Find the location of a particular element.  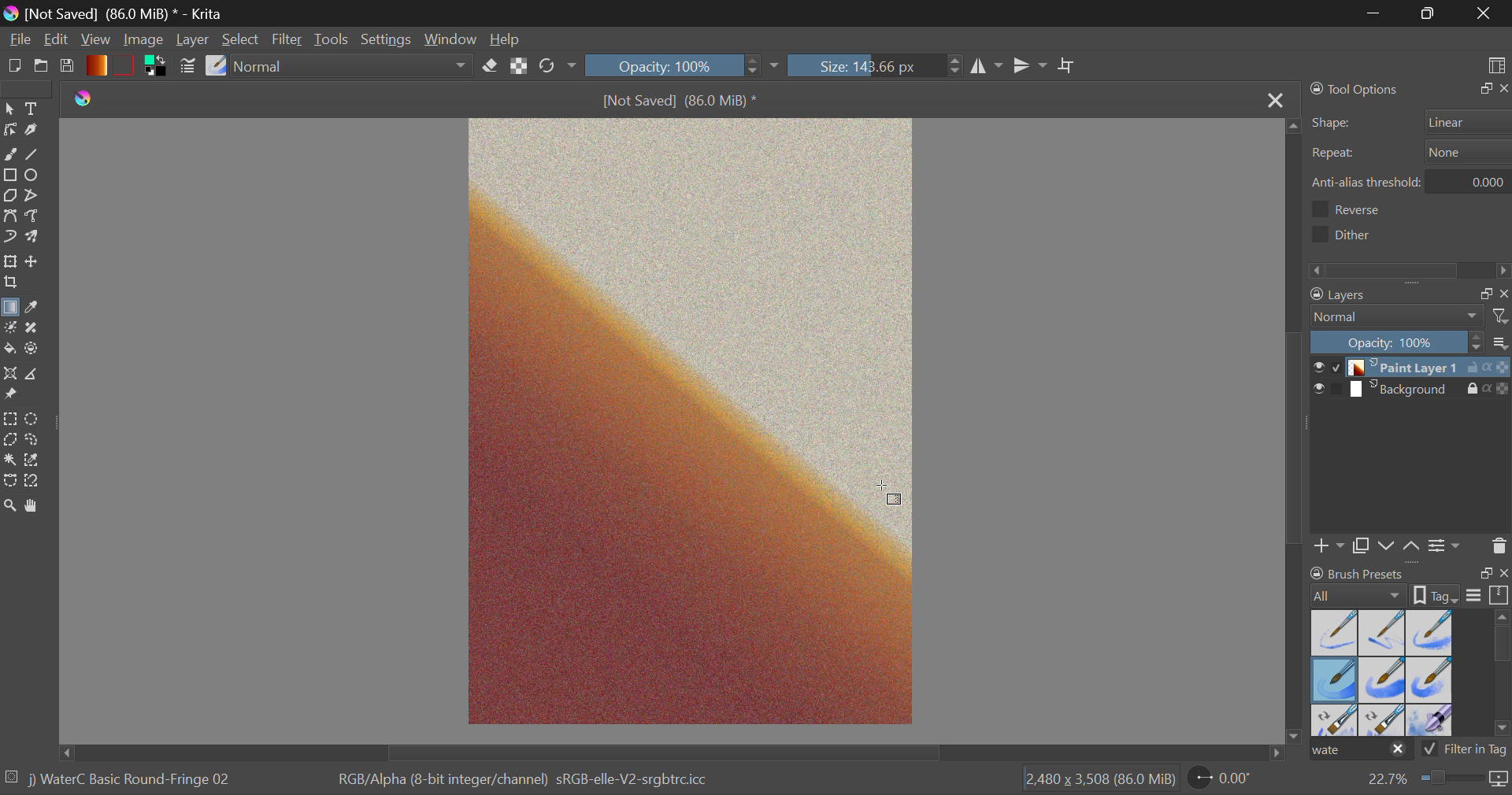

Gradient Fill is located at coordinates (11, 309).